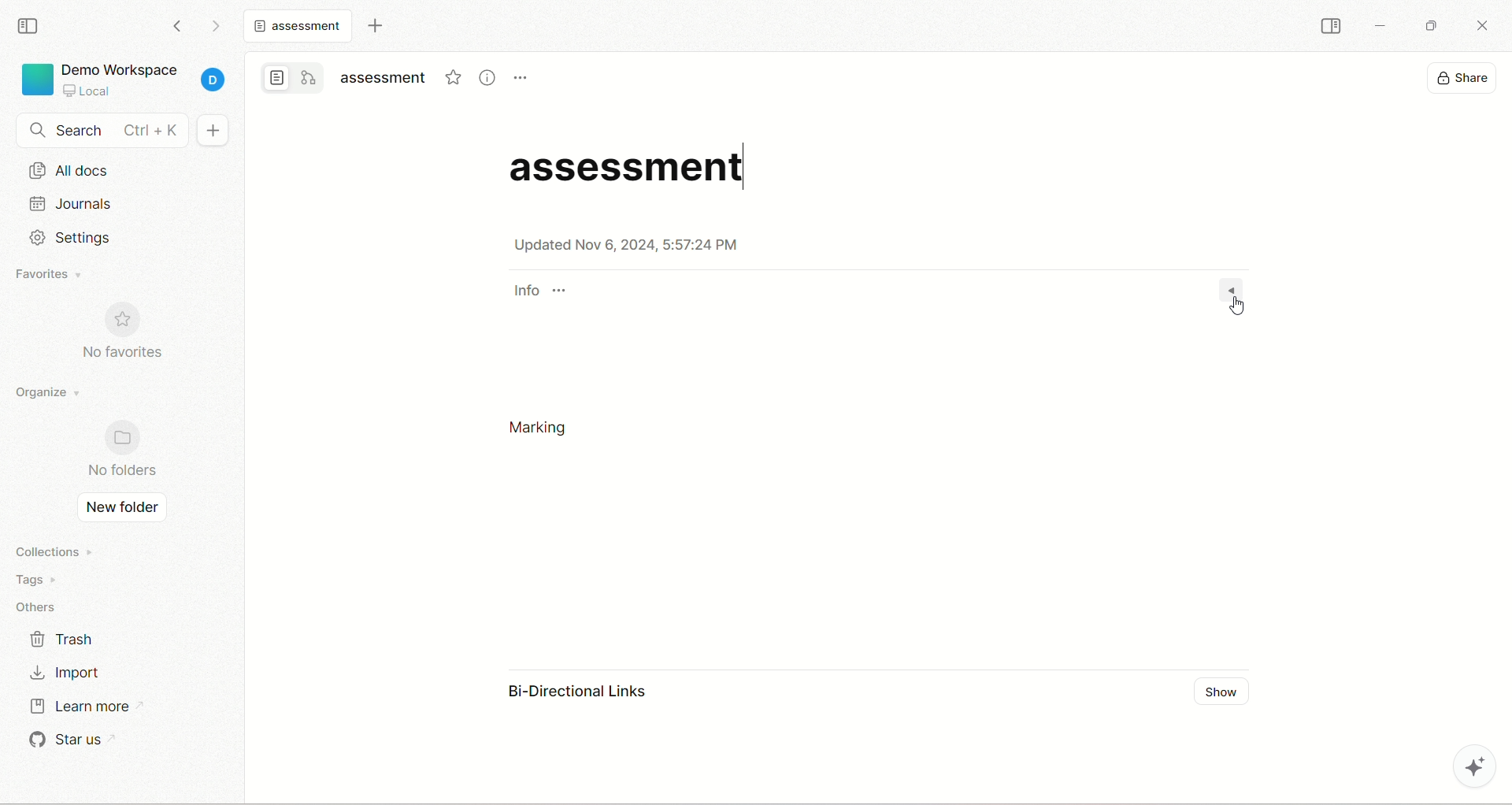 This screenshot has height=805, width=1512. Describe the element at coordinates (102, 129) in the screenshot. I see `search bar` at that location.